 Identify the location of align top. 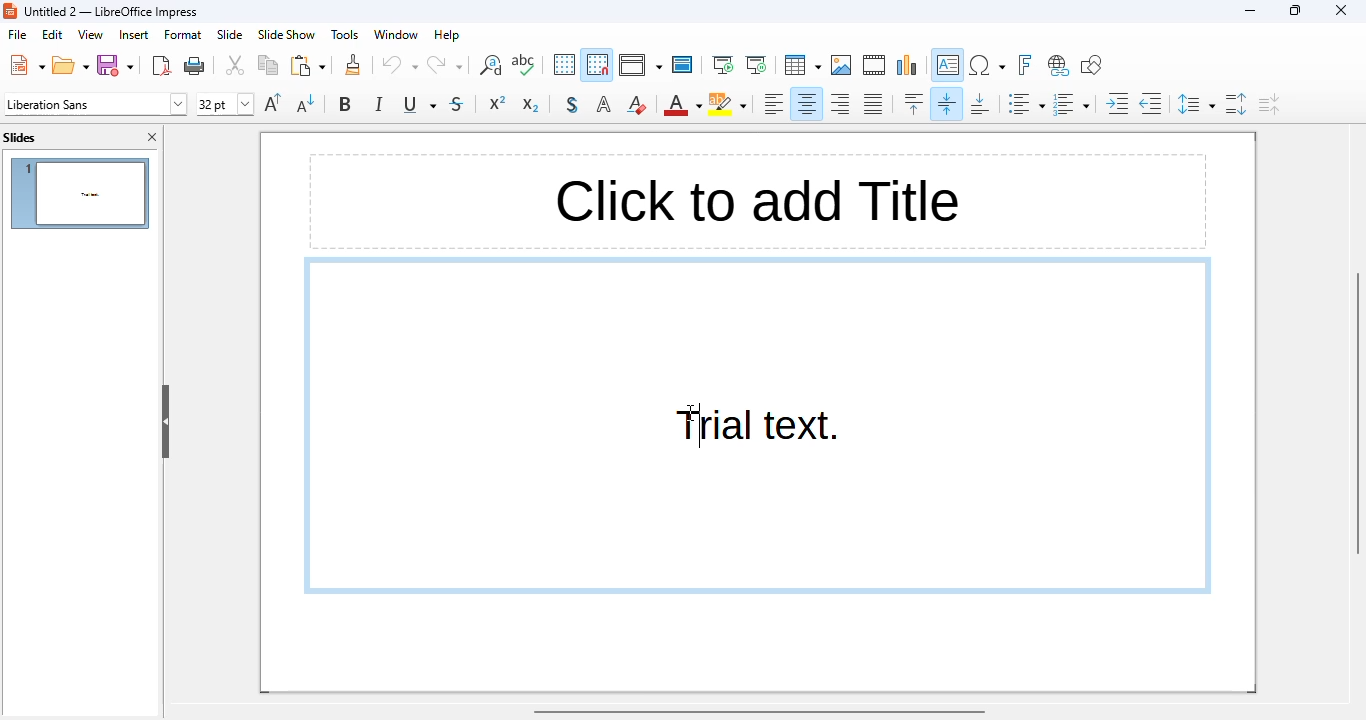
(914, 103).